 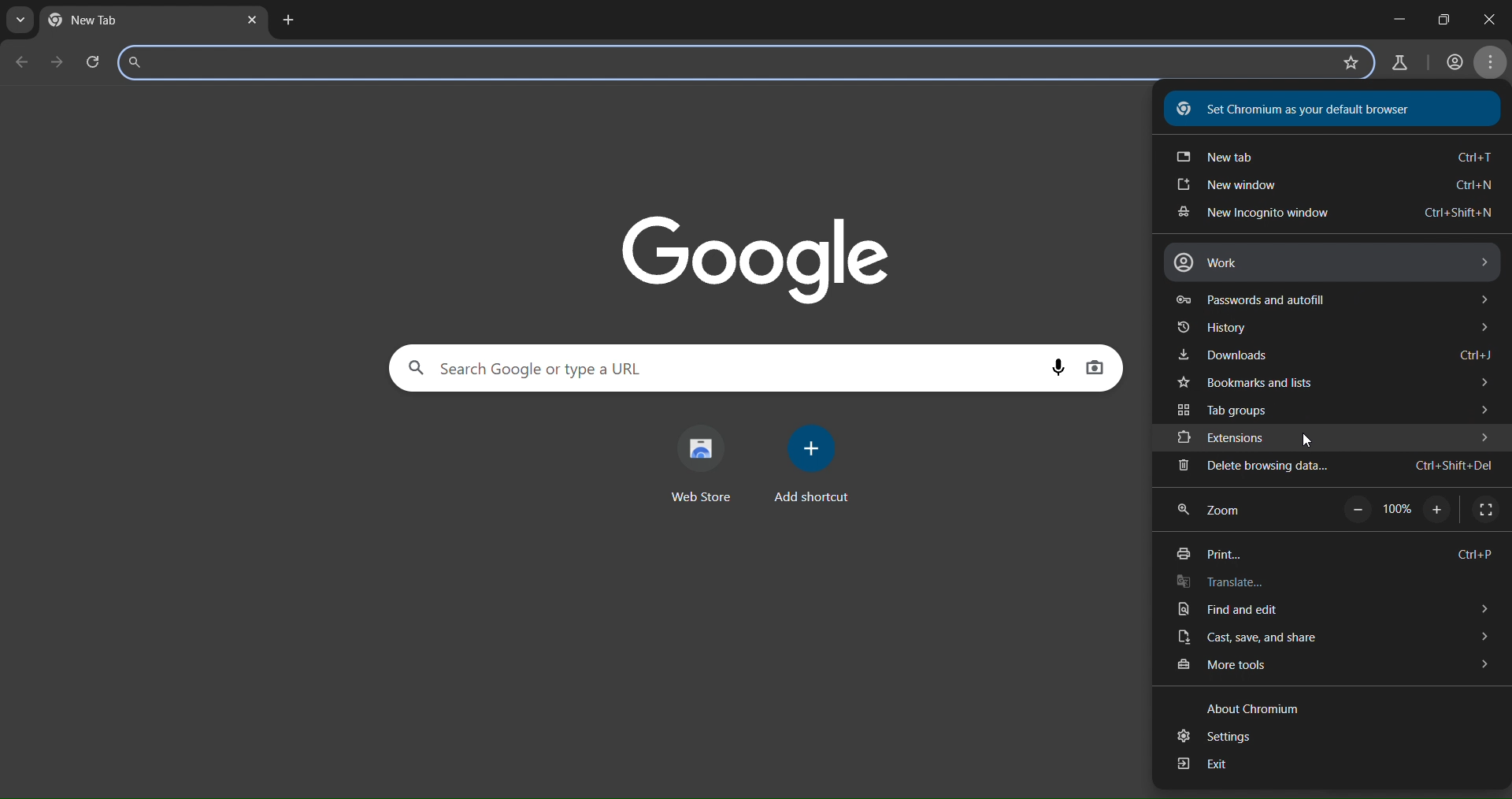 What do you see at coordinates (1455, 61) in the screenshot?
I see `account` at bounding box center [1455, 61].